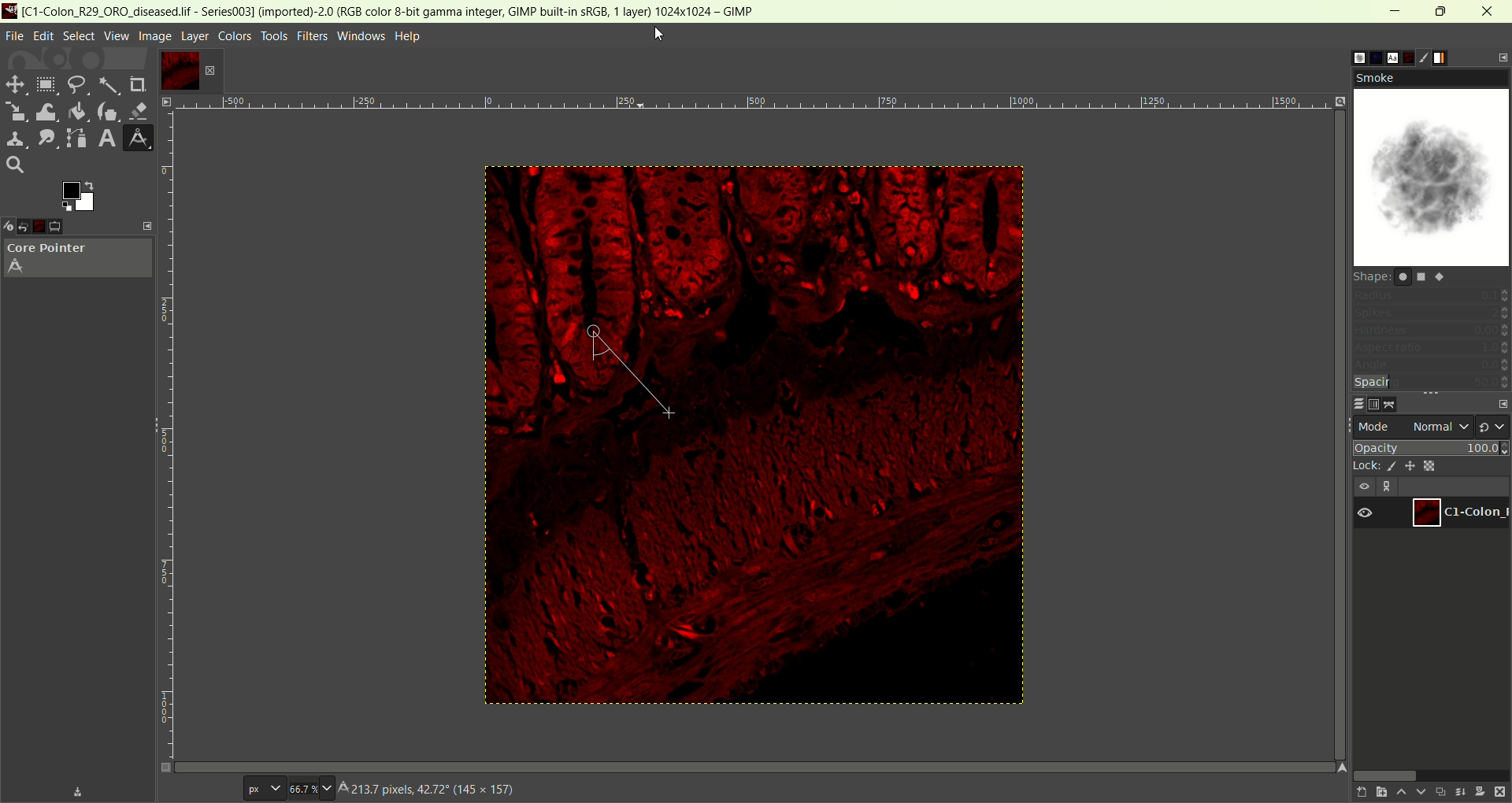 The height and width of the screenshot is (803, 1512). Describe the element at coordinates (276, 36) in the screenshot. I see `tools` at that location.